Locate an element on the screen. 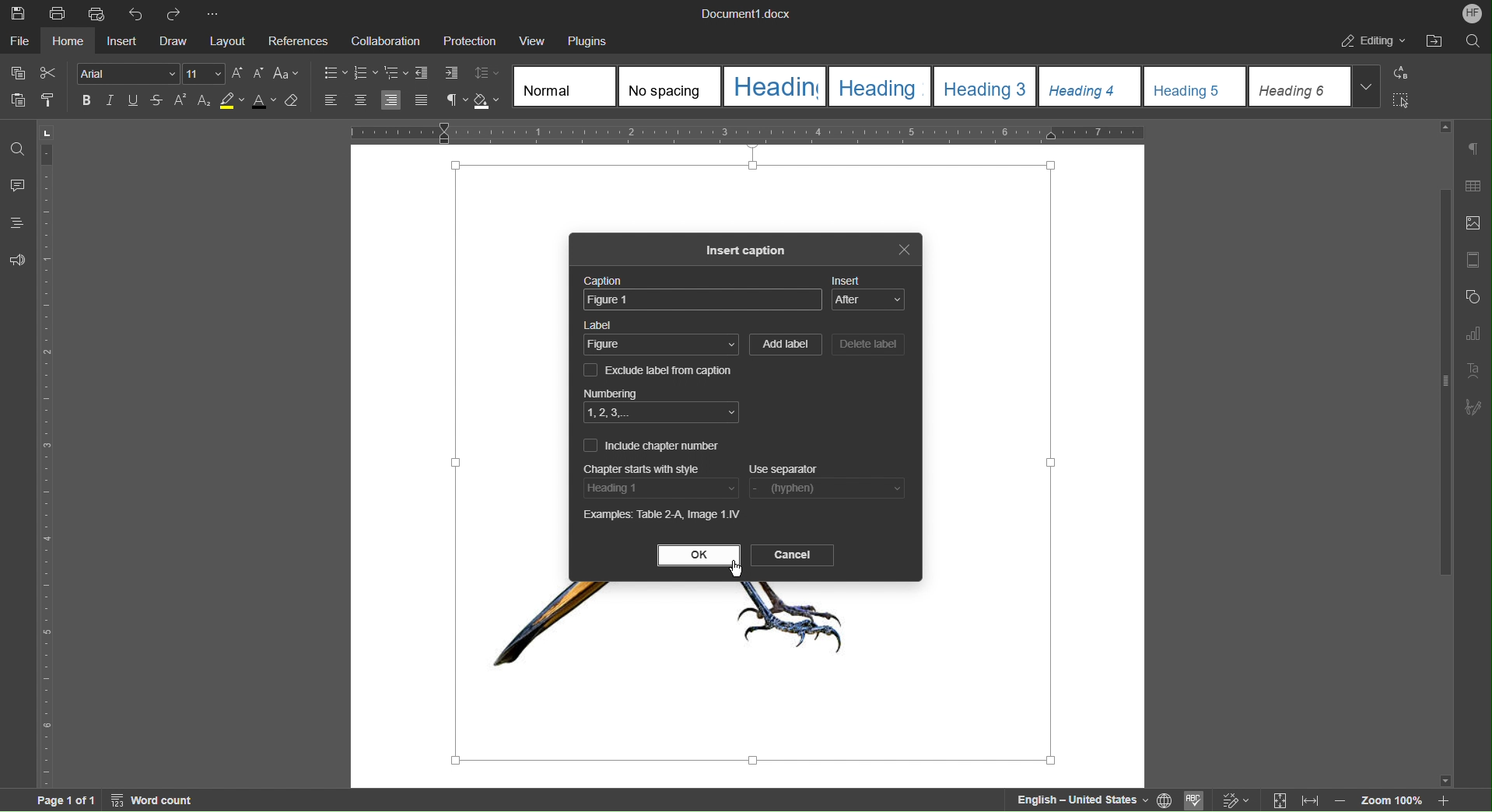 The width and height of the screenshot is (1492, 812). Copy Style is located at coordinates (49, 100).